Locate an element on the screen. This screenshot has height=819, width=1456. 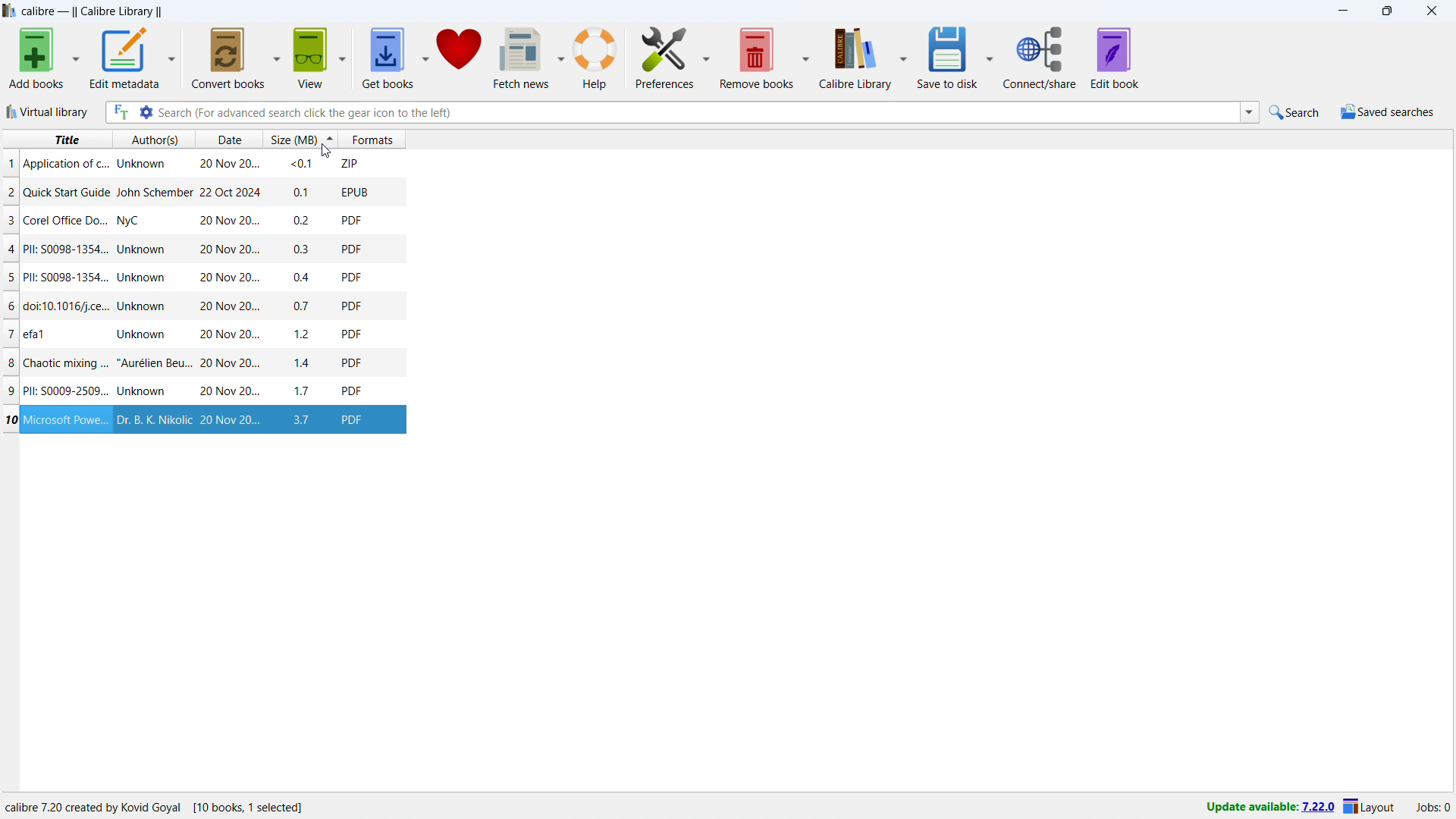
formats is located at coordinates (372, 140).